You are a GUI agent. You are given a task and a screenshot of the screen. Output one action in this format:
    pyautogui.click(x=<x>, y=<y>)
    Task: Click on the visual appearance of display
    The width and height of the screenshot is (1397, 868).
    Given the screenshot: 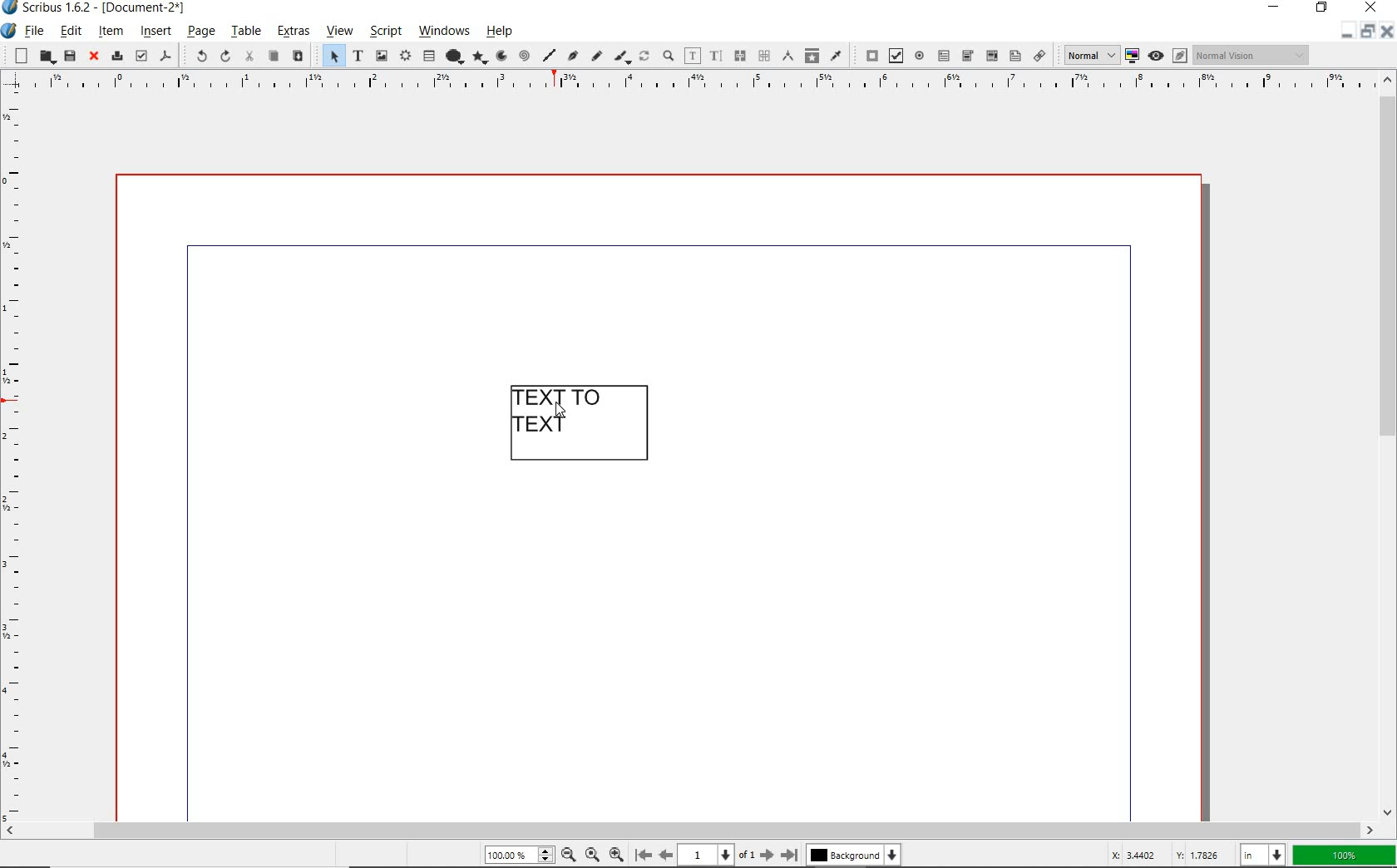 What is the action you would take?
    pyautogui.click(x=1251, y=55)
    